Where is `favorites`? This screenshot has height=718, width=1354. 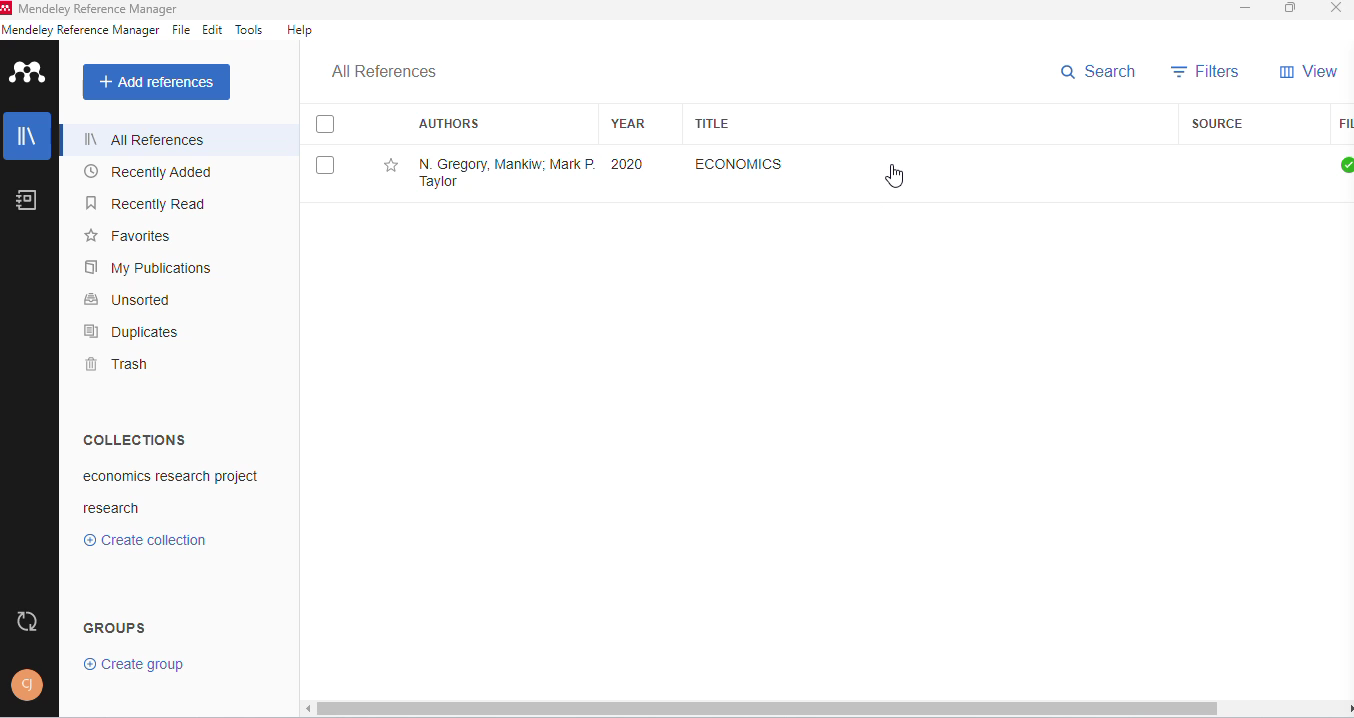 favorites is located at coordinates (129, 236).